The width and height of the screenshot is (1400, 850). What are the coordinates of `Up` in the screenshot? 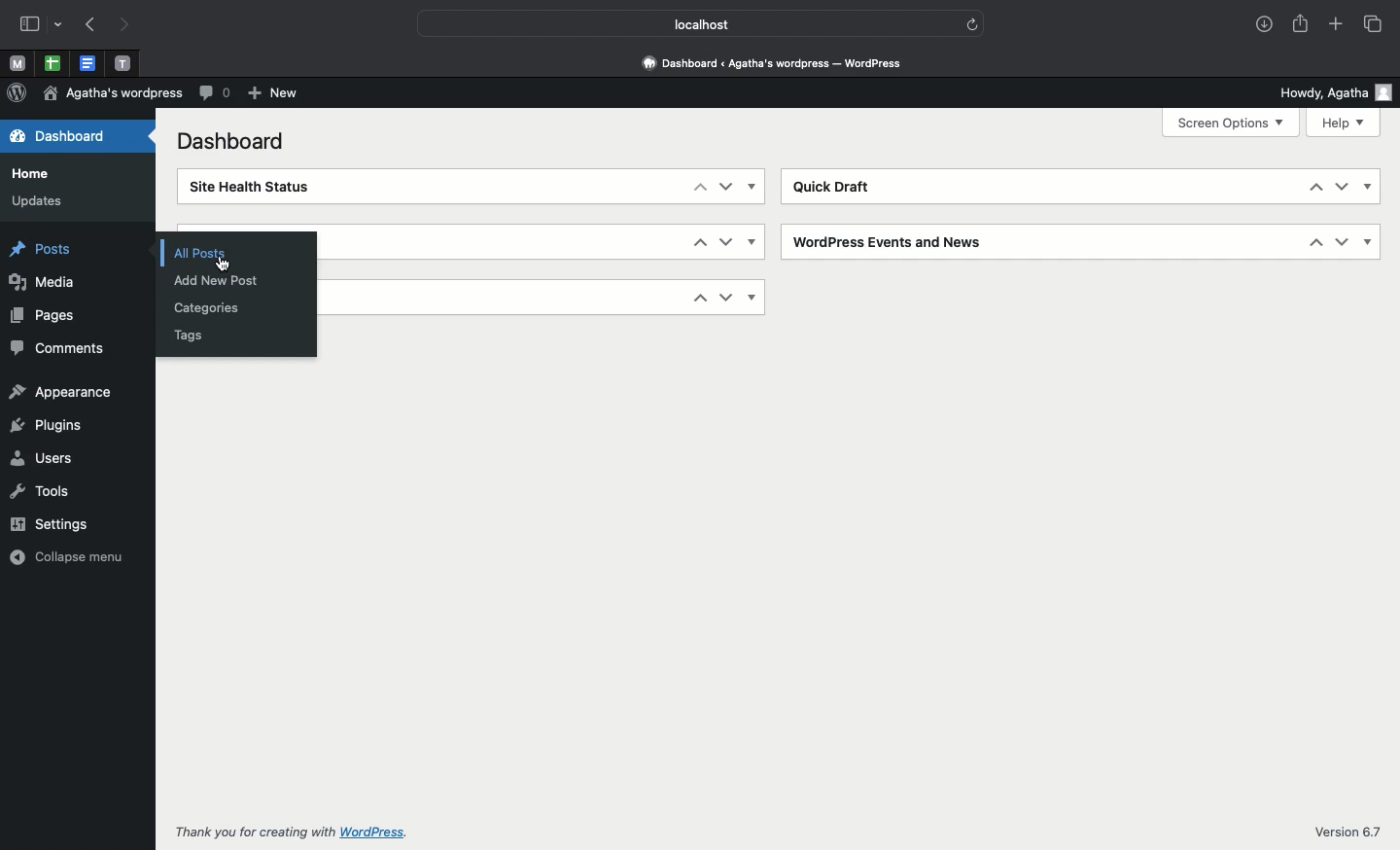 It's located at (1310, 244).